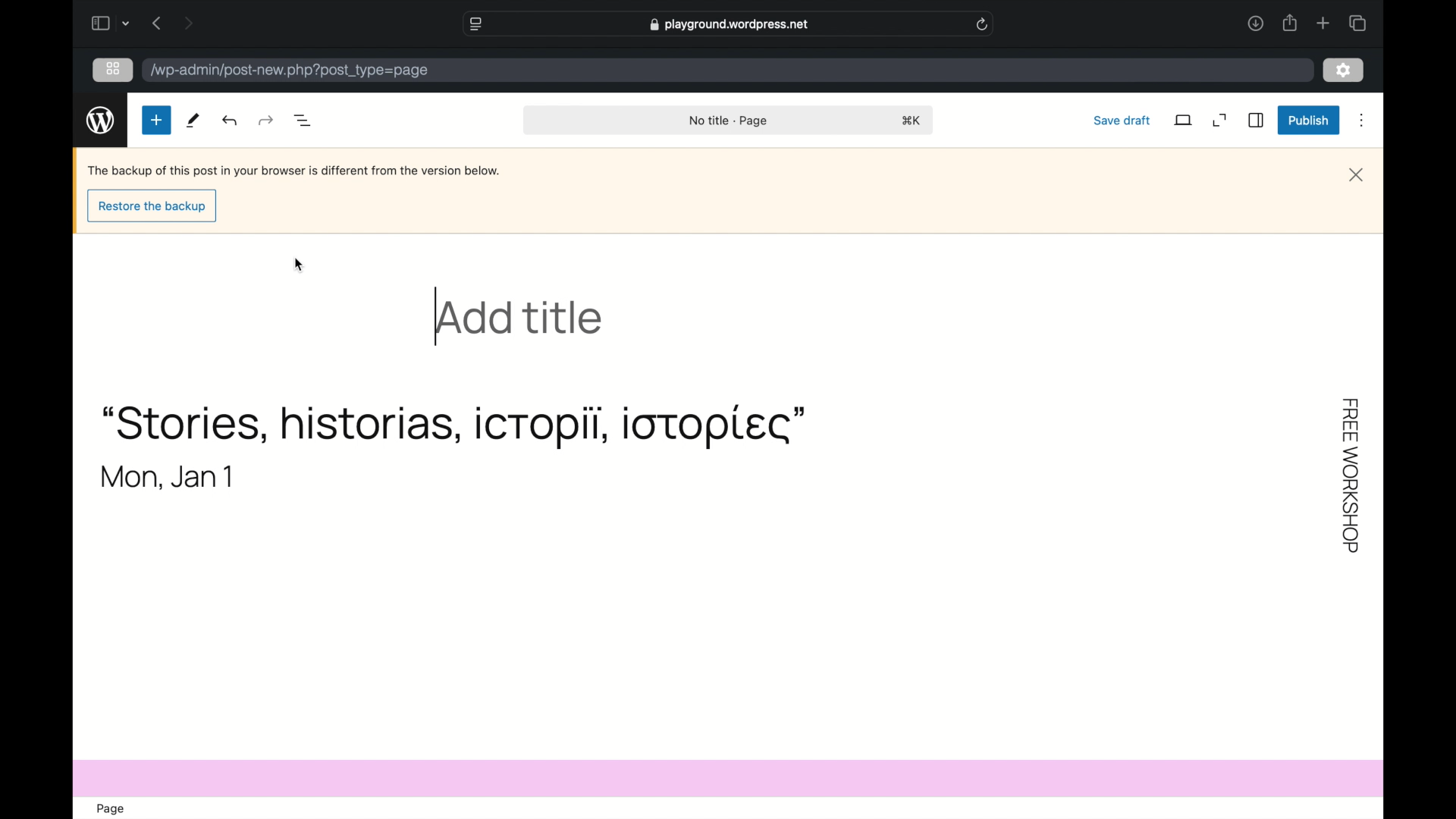 The image size is (1456, 819). Describe the element at coordinates (268, 121) in the screenshot. I see `undo` at that location.